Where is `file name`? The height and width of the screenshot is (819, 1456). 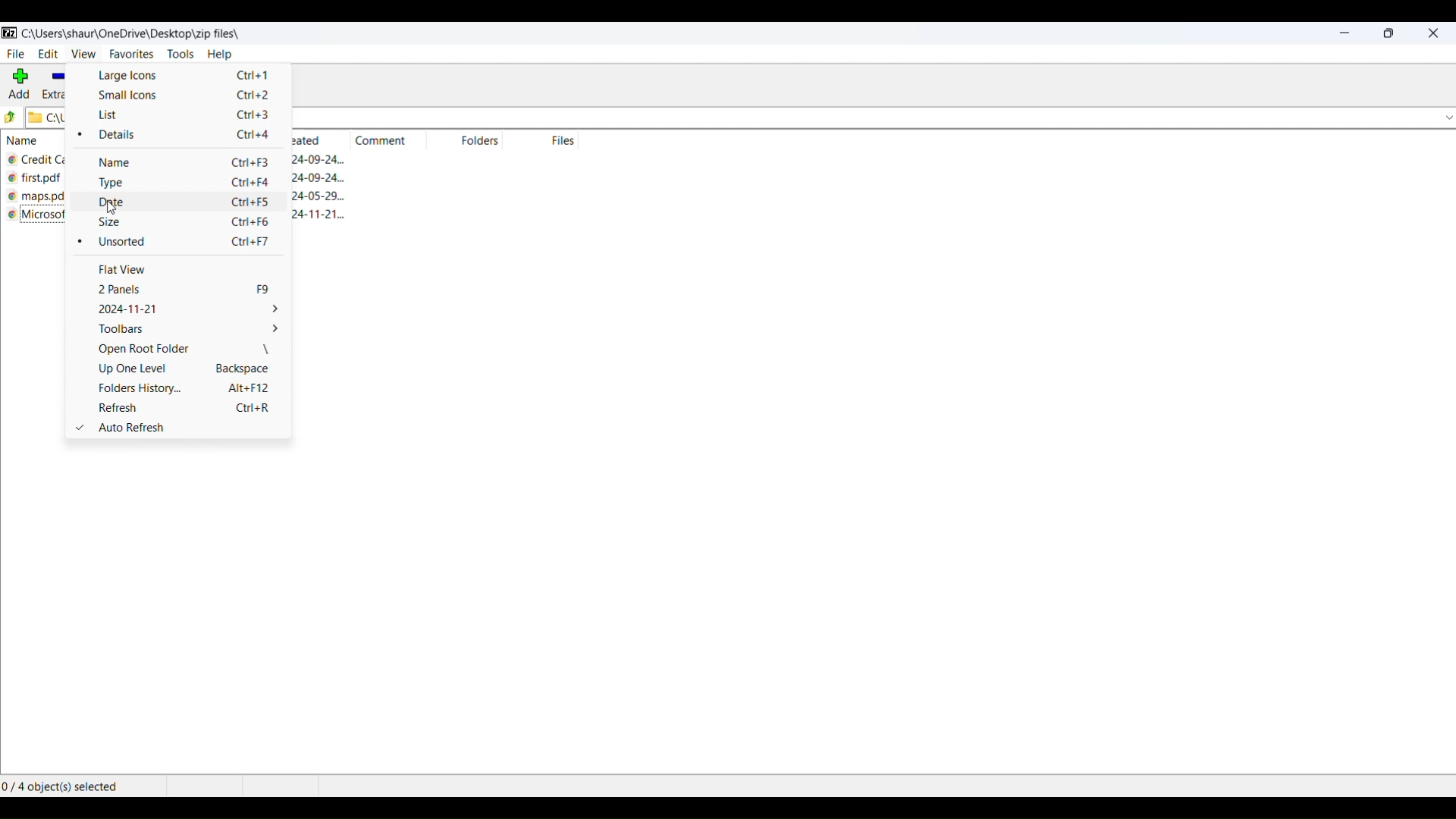 file name is located at coordinates (36, 160).